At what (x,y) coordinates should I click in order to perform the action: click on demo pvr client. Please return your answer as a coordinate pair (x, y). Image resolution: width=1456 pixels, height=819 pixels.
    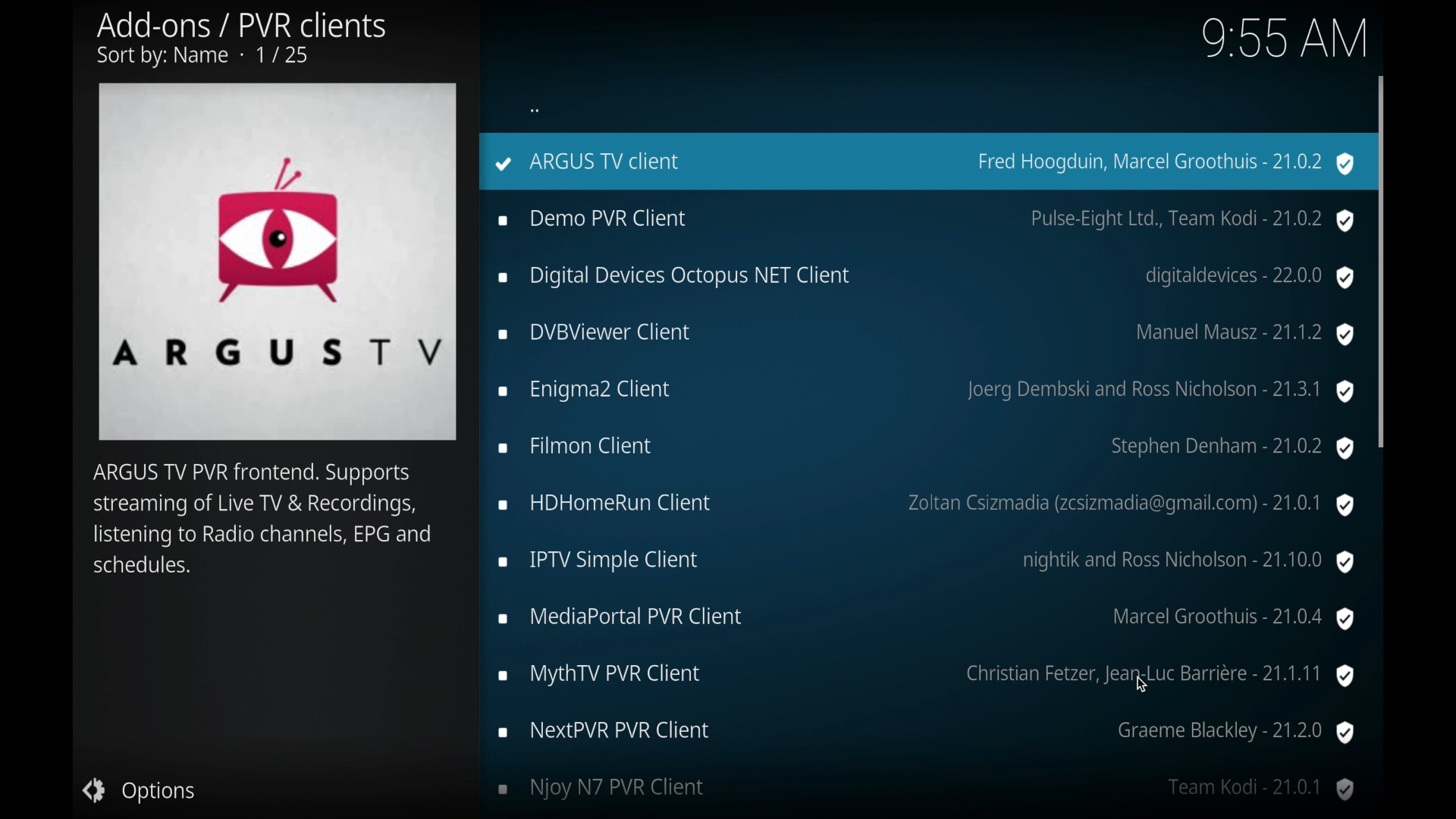
    Looking at the image, I should click on (927, 220).